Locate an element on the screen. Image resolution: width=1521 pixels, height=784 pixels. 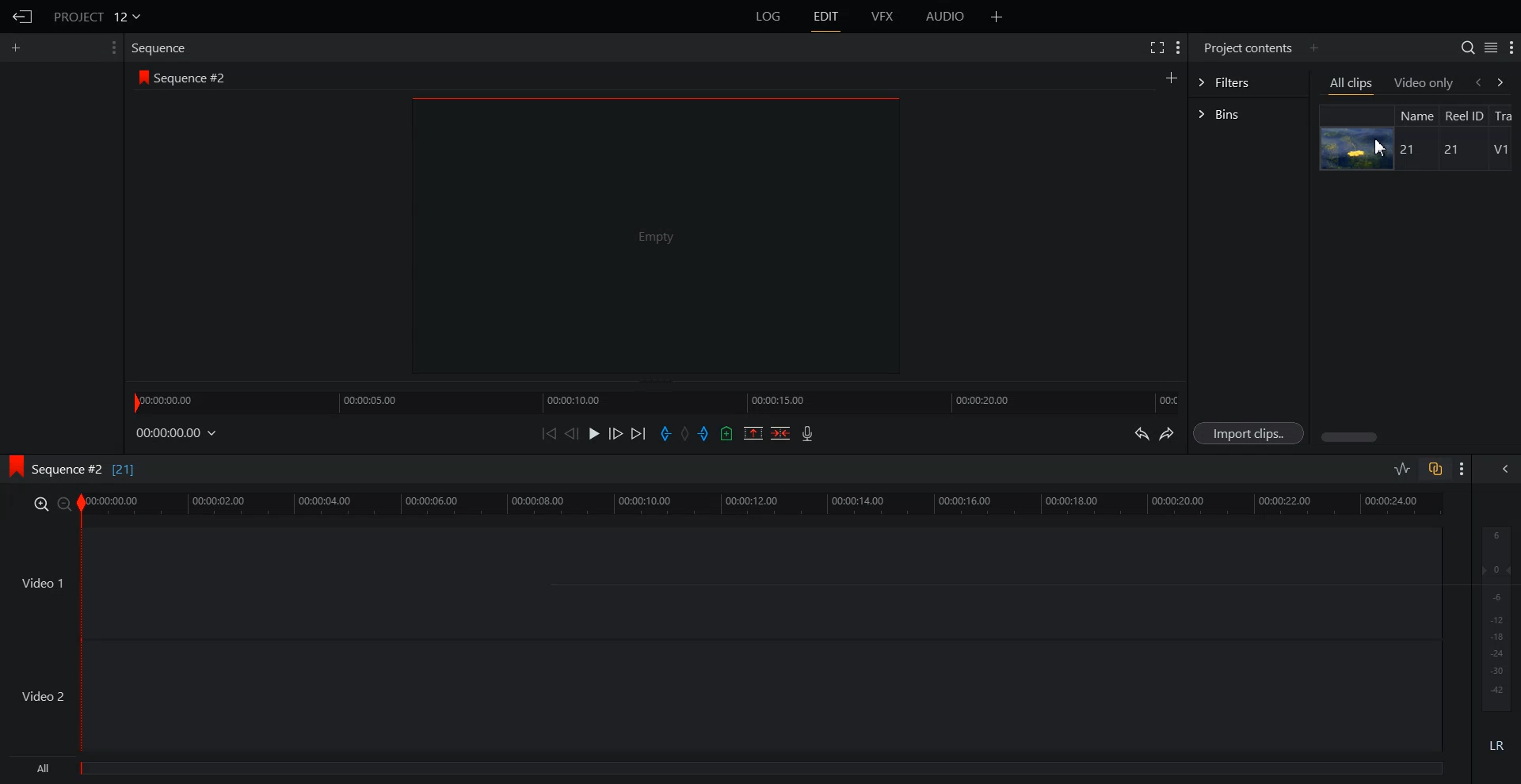
All is located at coordinates (728, 770).